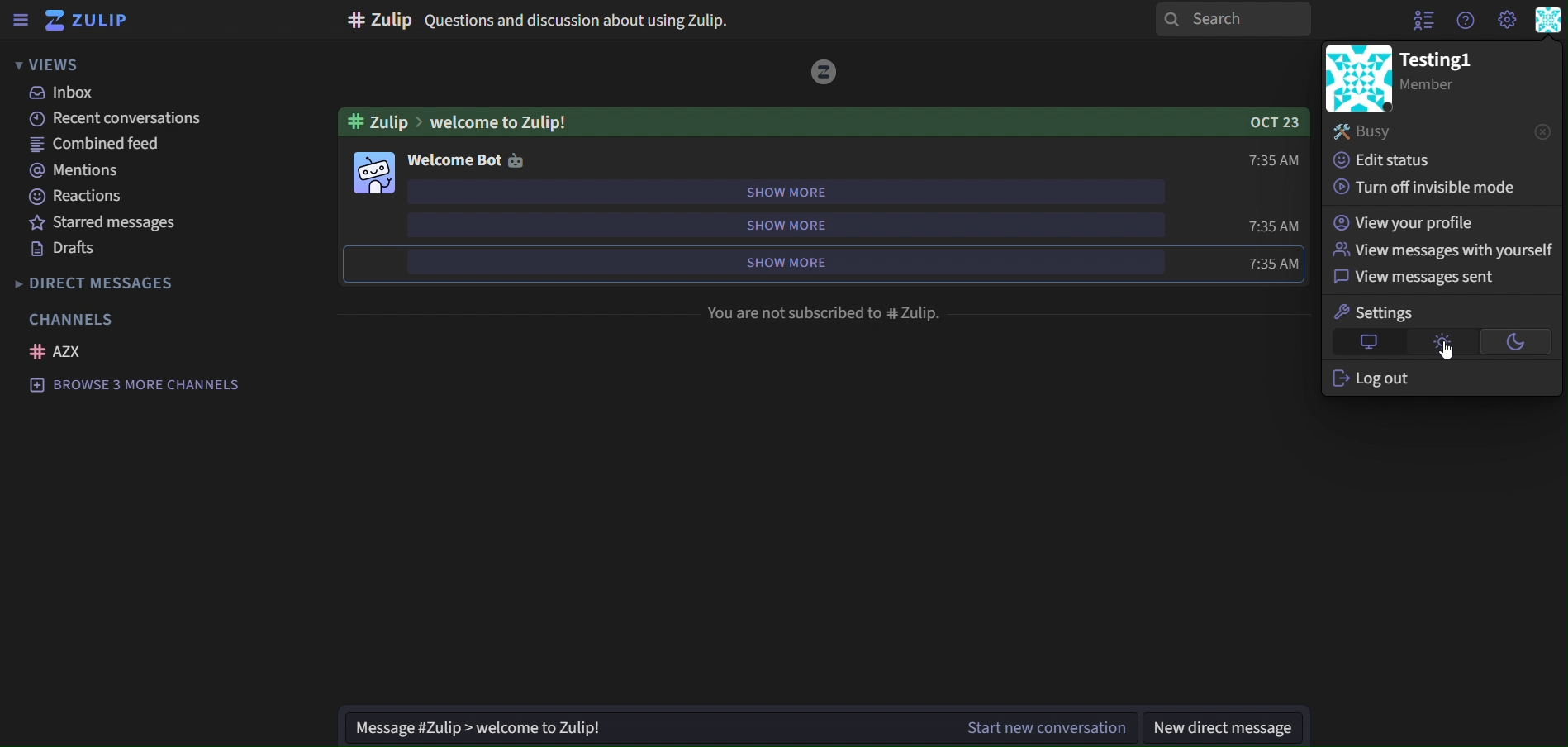 The image size is (1568, 747). I want to click on busy, so click(1445, 133).